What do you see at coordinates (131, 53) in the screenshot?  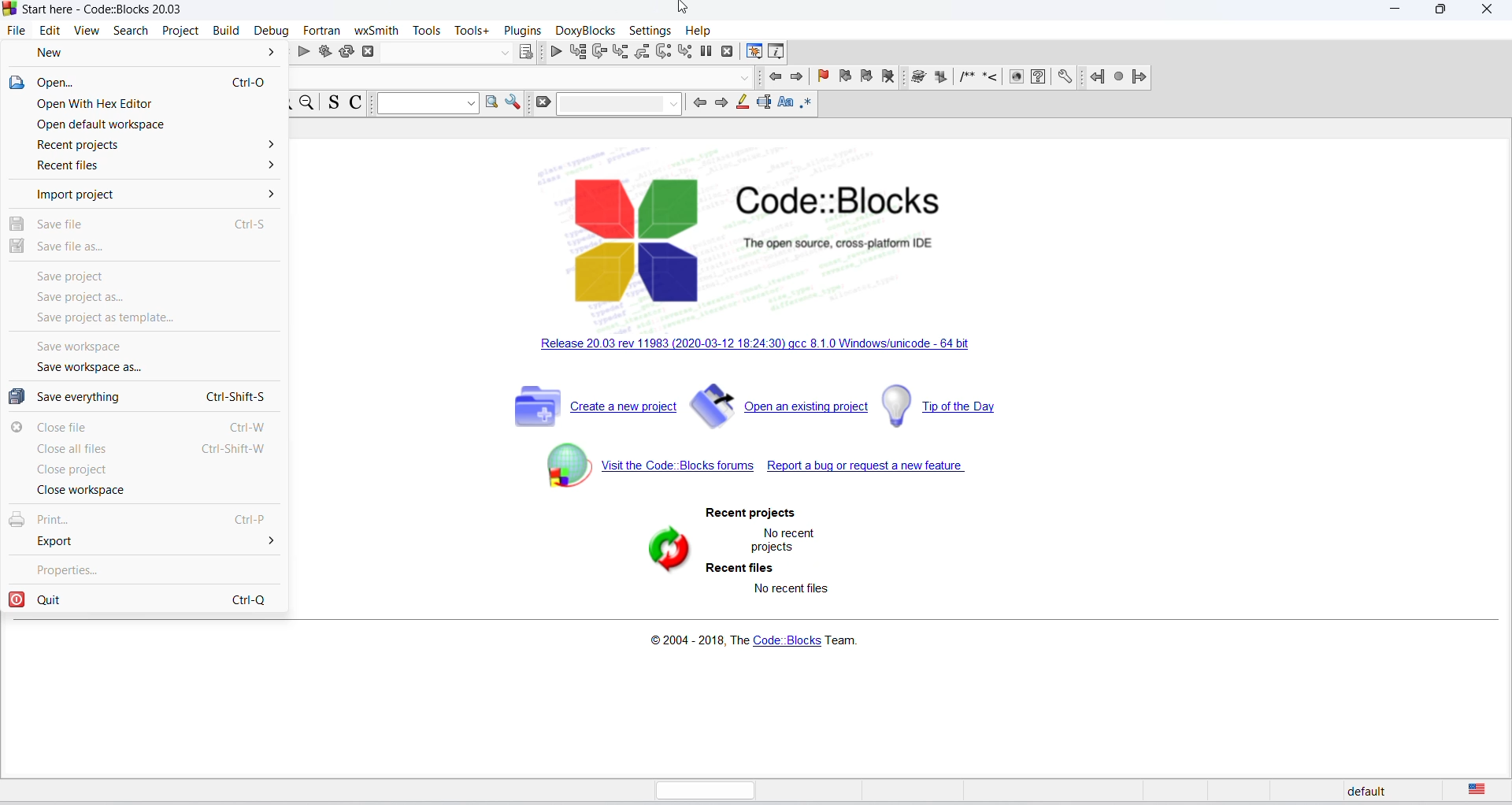 I see `new` at bounding box center [131, 53].